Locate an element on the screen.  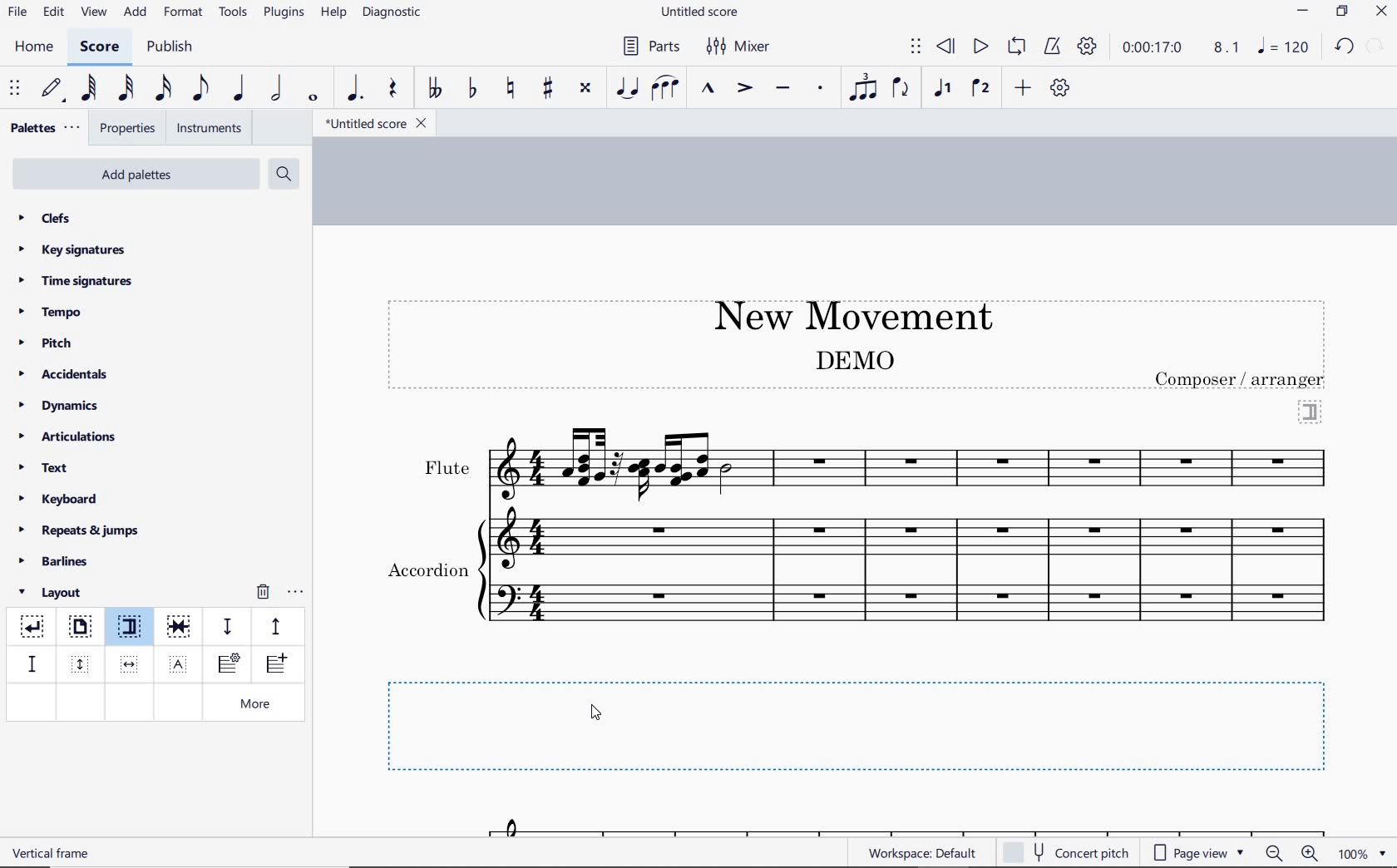
Parts is located at coordinates (648, 47).